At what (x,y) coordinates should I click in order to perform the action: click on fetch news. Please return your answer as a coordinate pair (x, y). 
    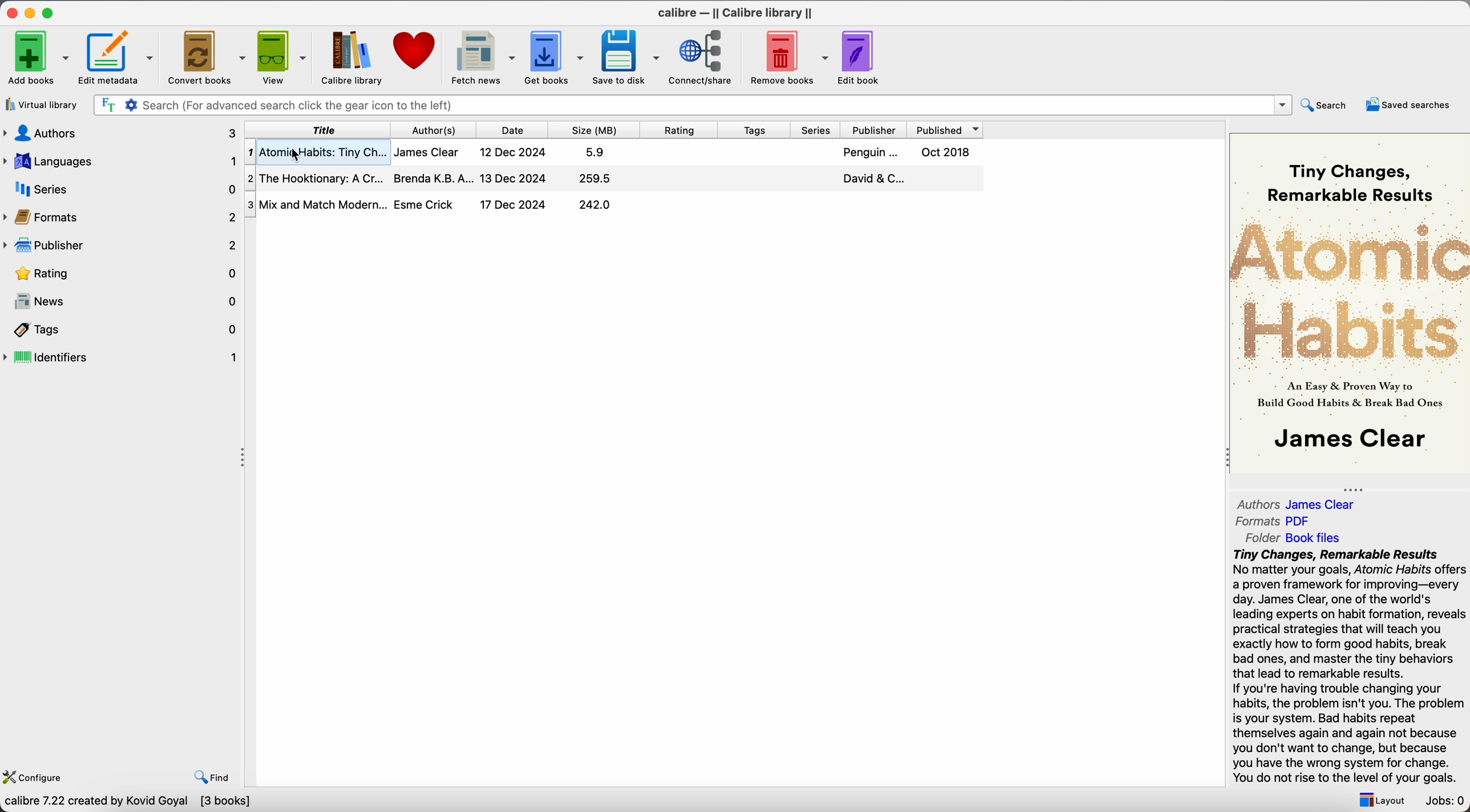
    Looking at the image, I should click on (482, 58).